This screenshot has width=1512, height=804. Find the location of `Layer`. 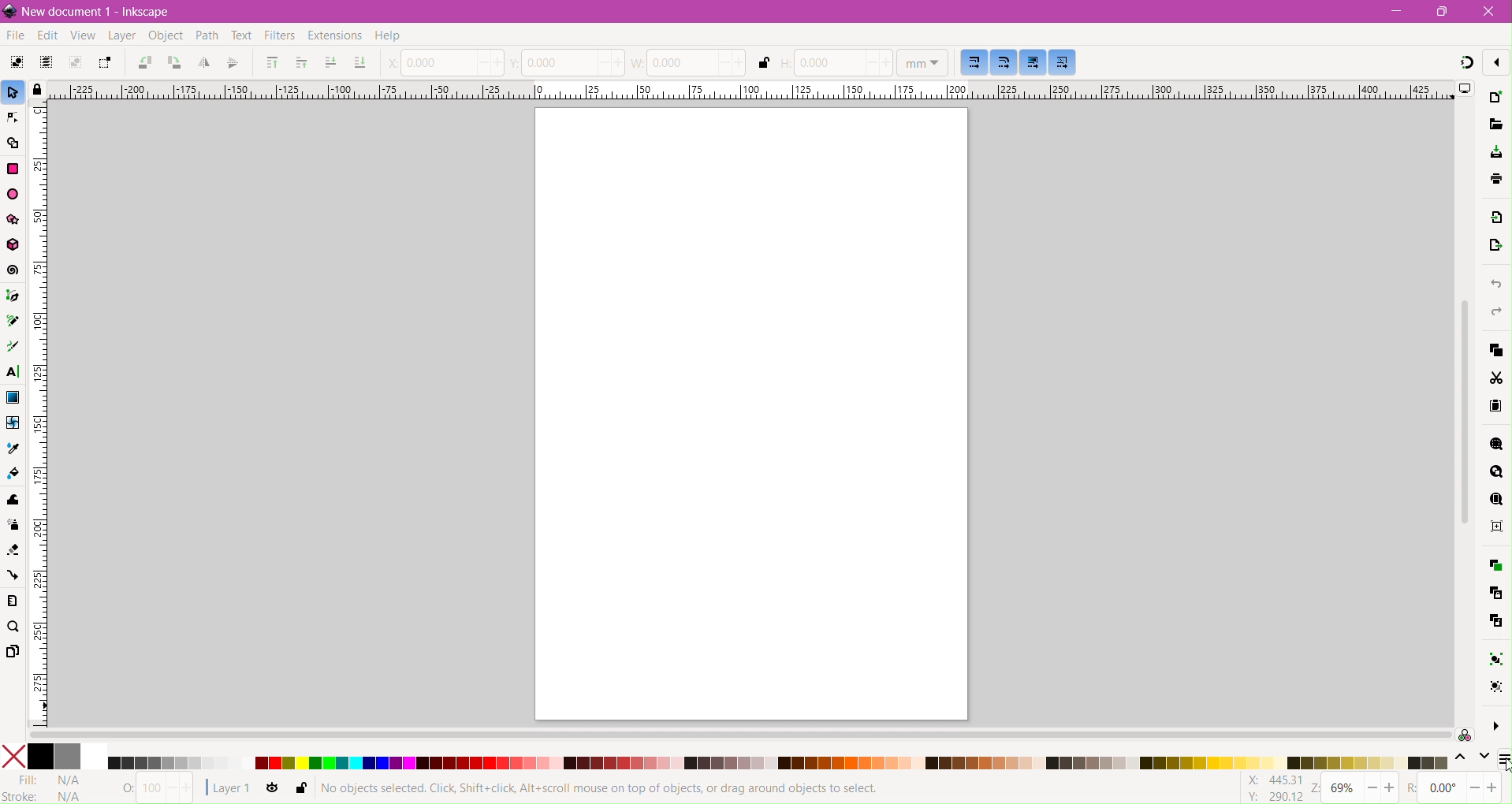

Layer is located at coordinates (121, 36).